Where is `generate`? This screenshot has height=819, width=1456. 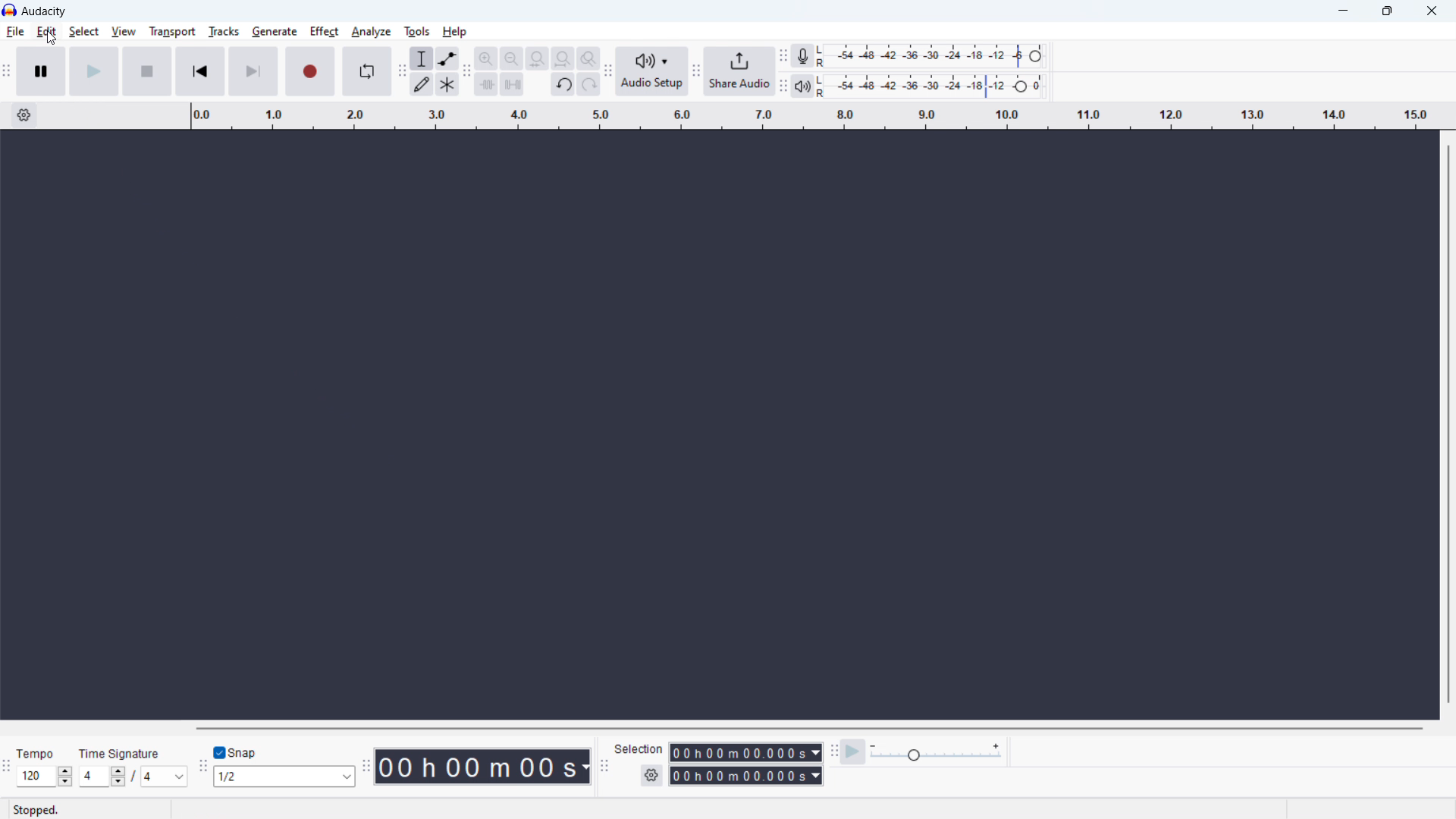 generate is located at coordinates (275, 33).